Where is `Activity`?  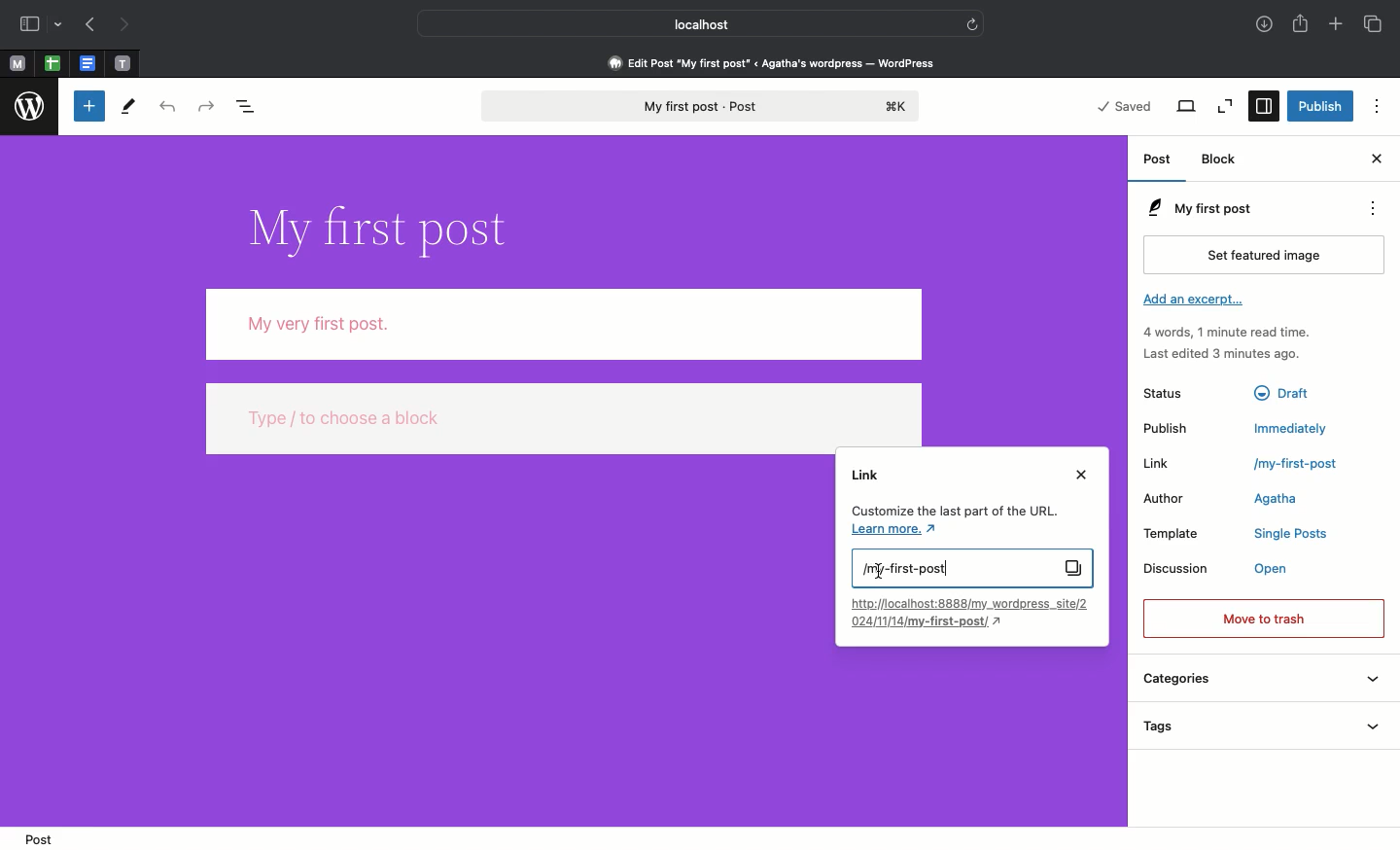 Activity is located at coordinates (1233, 341).